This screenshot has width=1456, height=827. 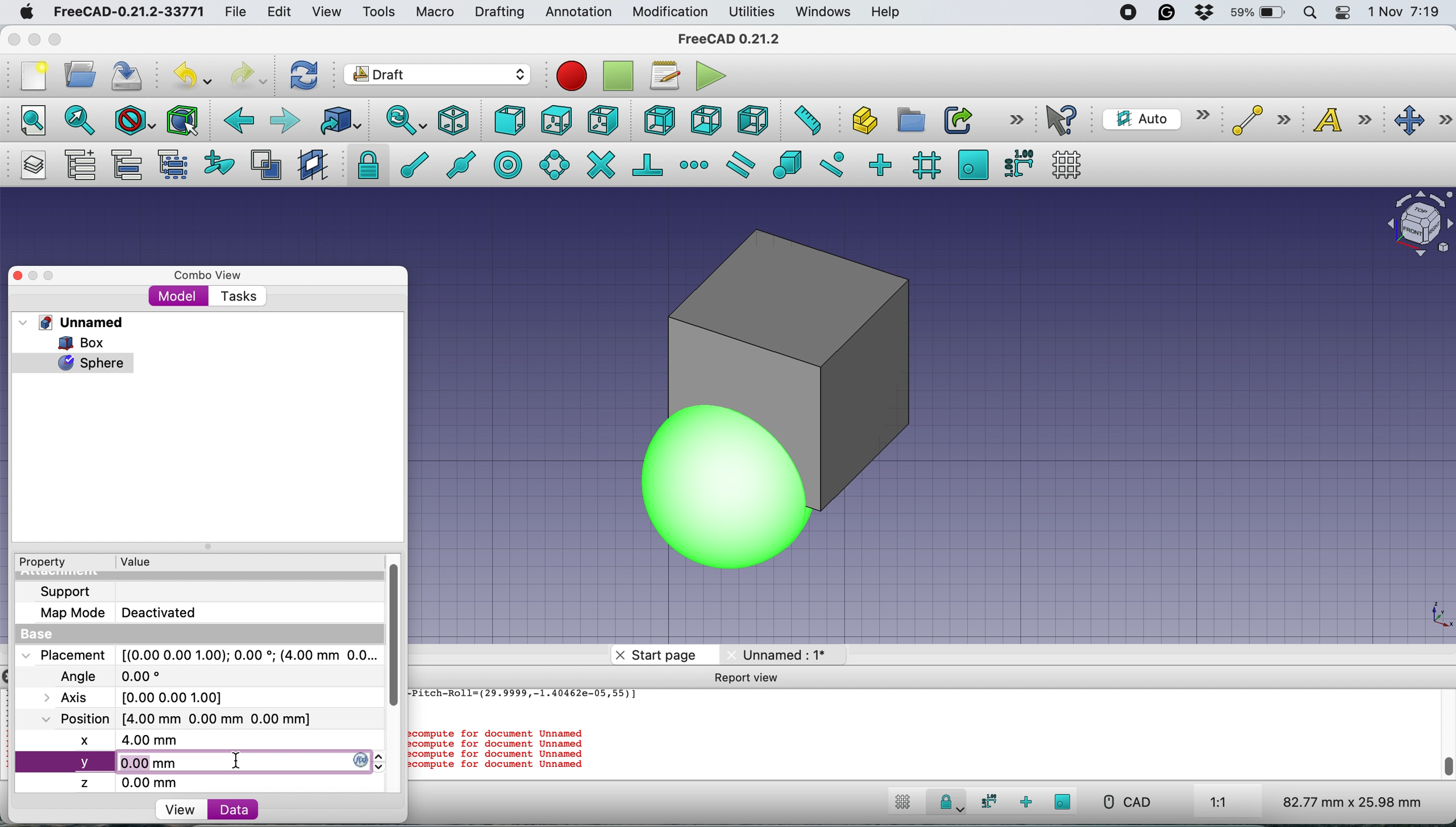 I want to click on unnamed, so click(x=76, y=322).